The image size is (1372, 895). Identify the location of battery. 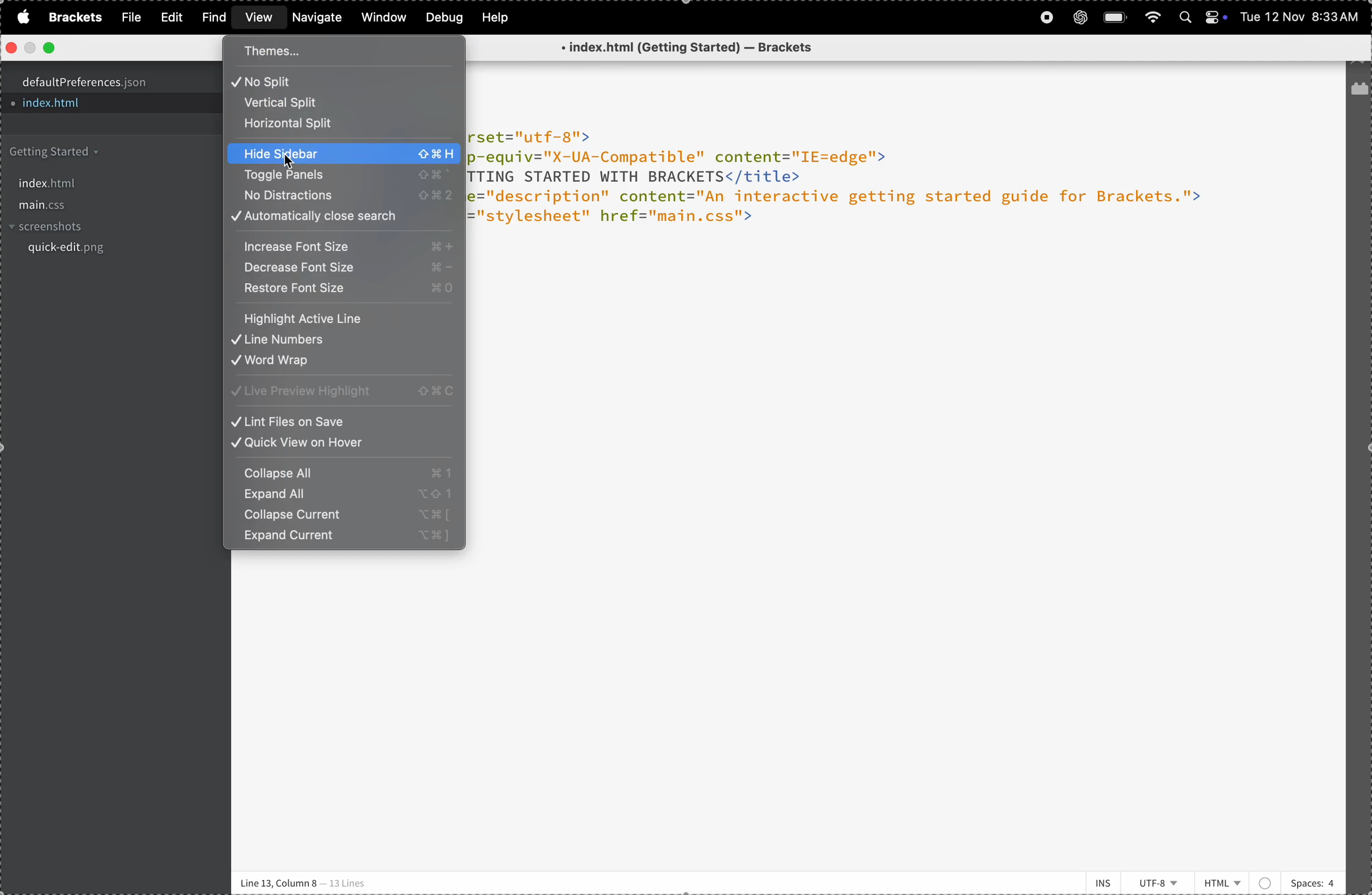
(1116, 17).